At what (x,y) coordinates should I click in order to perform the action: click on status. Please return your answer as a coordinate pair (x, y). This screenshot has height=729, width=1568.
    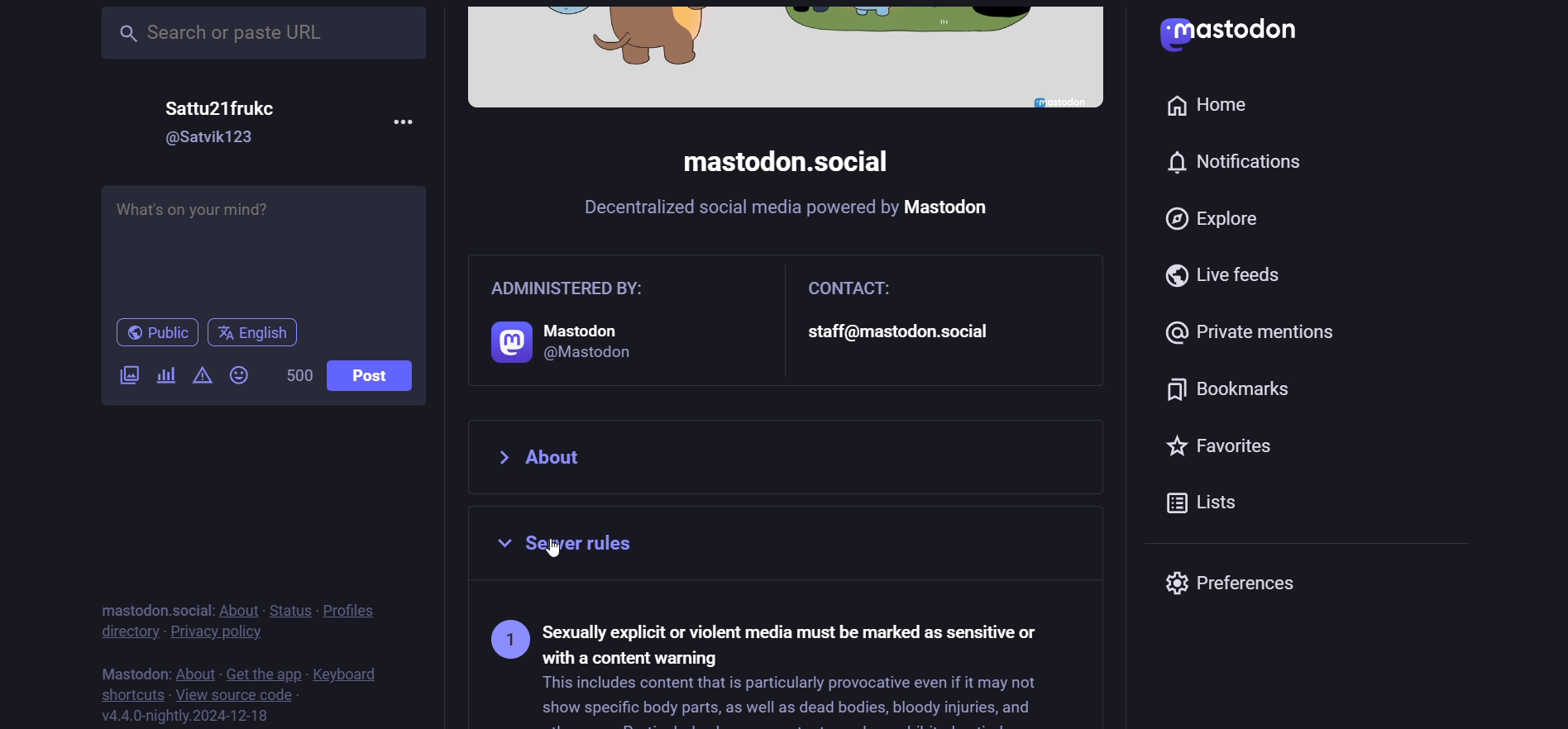
    Looking at the image, I should click on (287, 608).